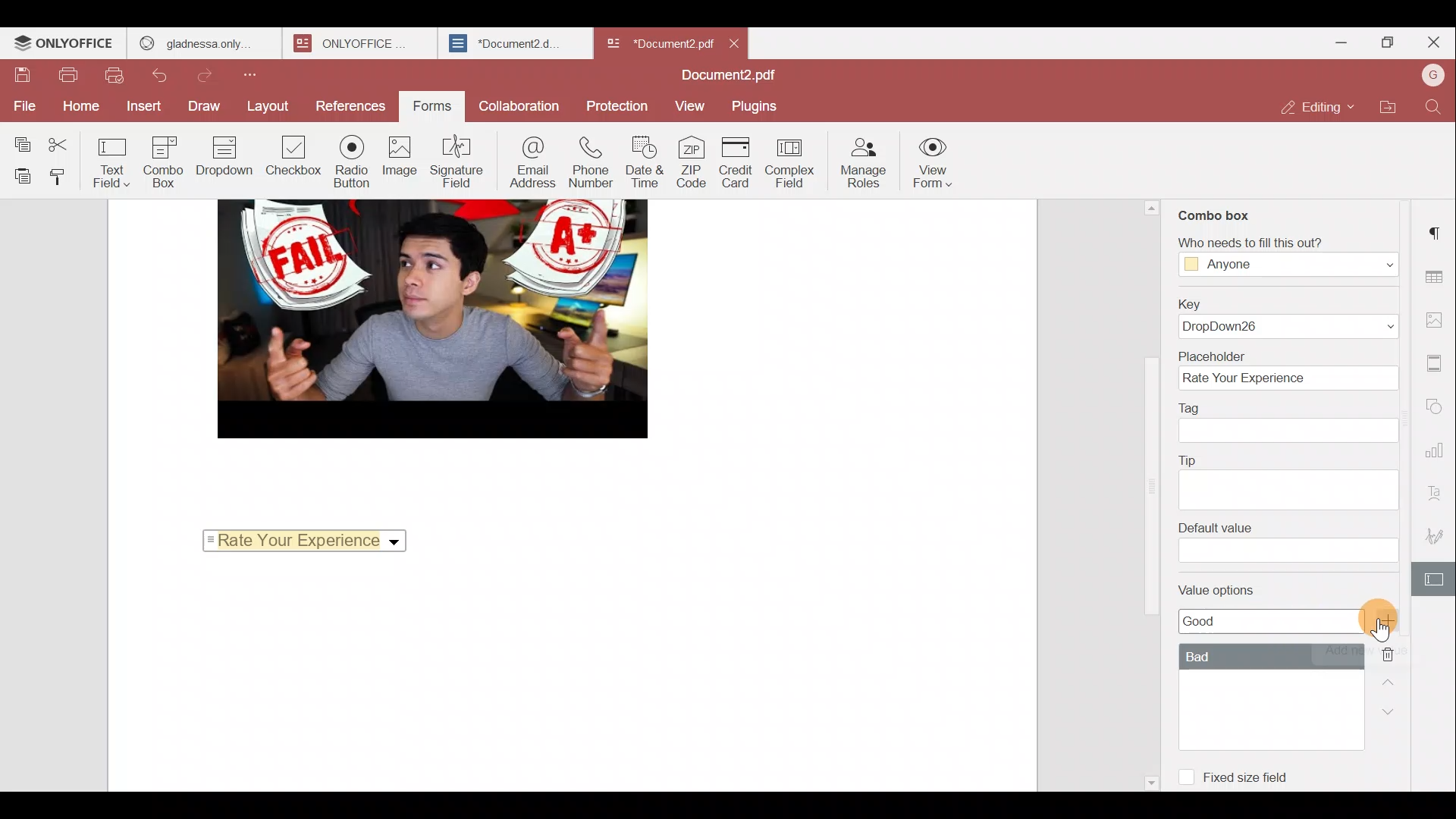  What do you see at coordinates (1439, 403) in the screenshot?
I see `Shapes settings` at bounding box center [1439, 403].